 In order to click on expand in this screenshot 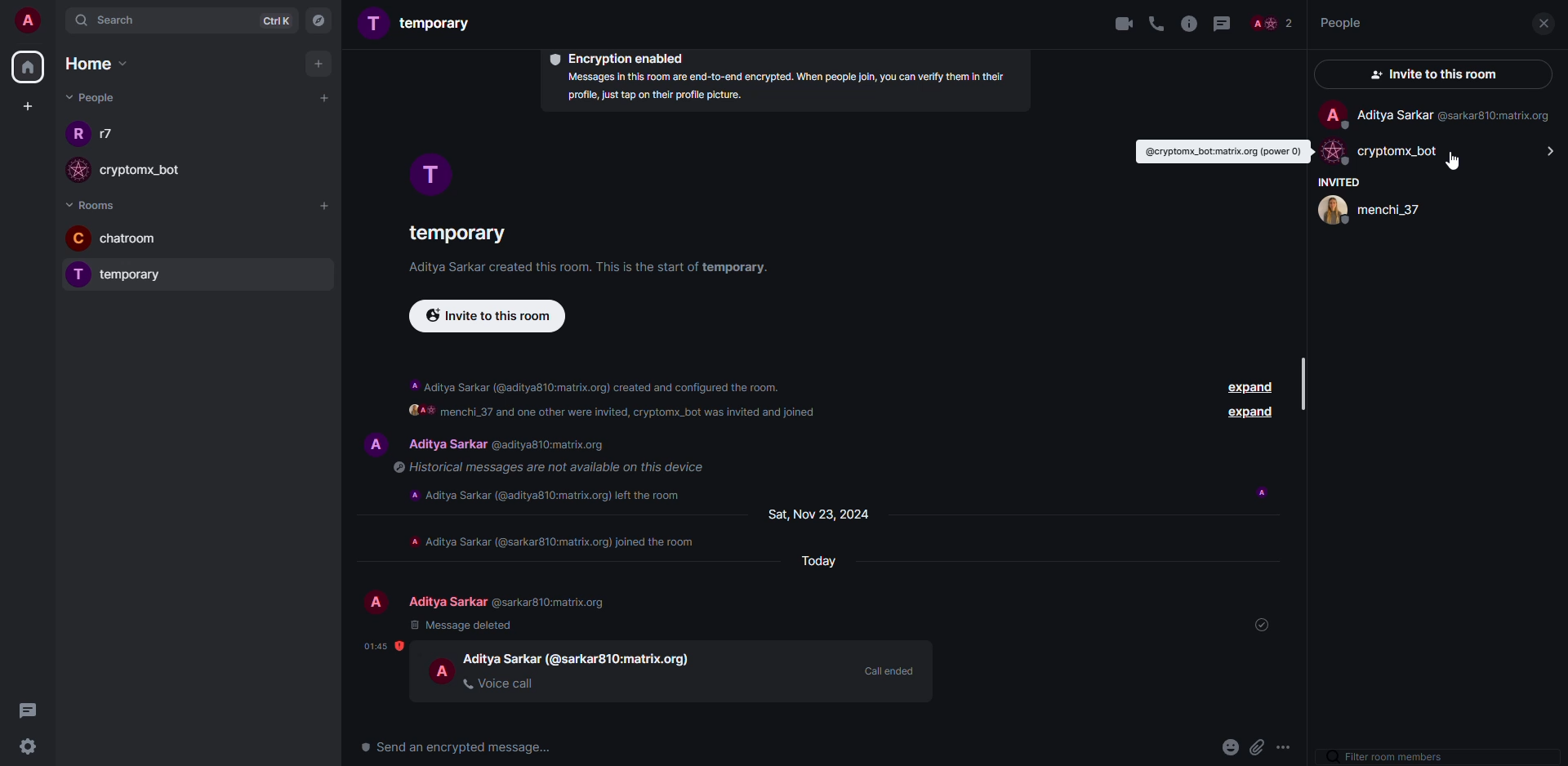, I will do `click(1246, 387)`.